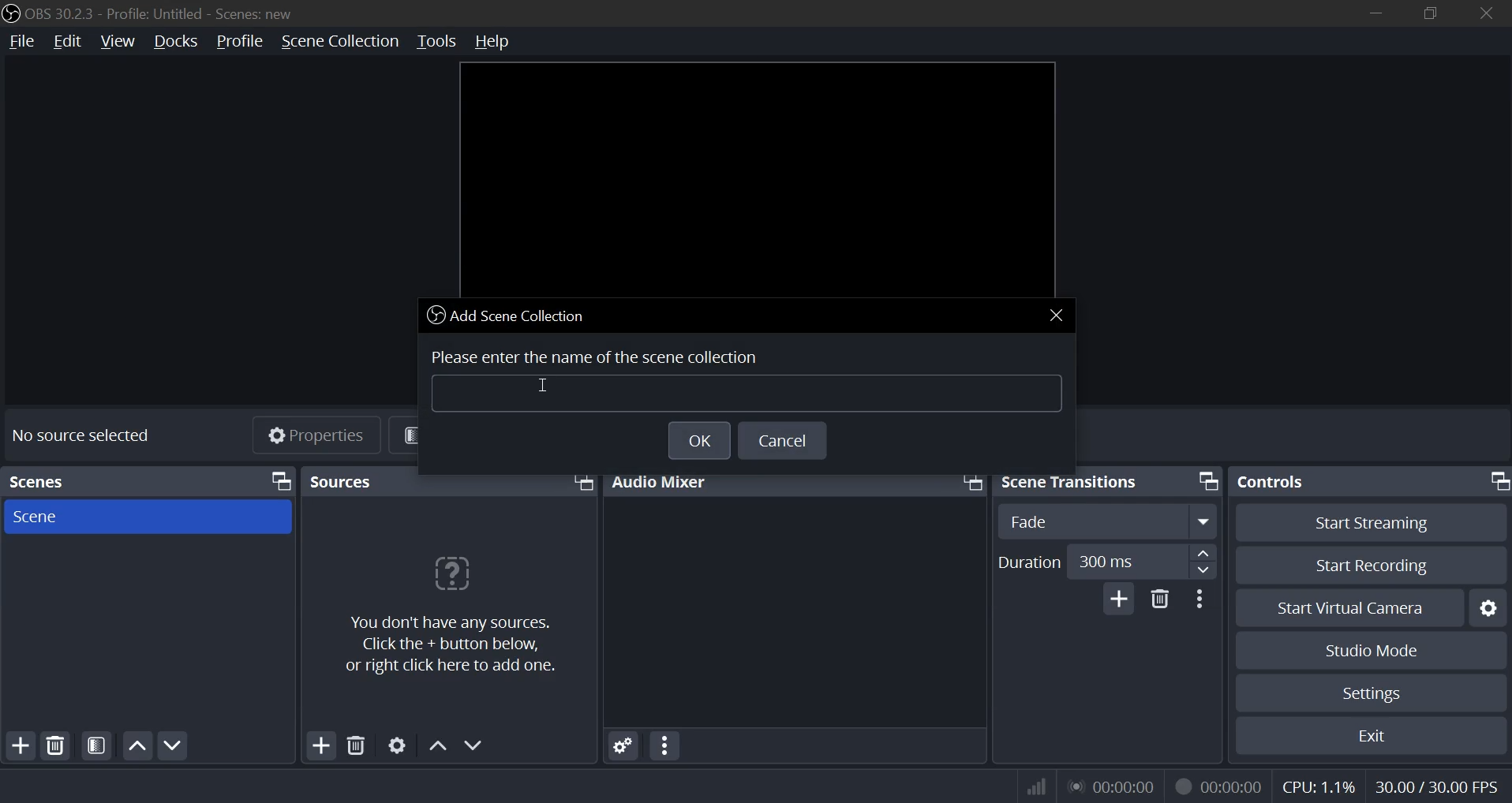  I want to click on bring front, so click(1498, 481).